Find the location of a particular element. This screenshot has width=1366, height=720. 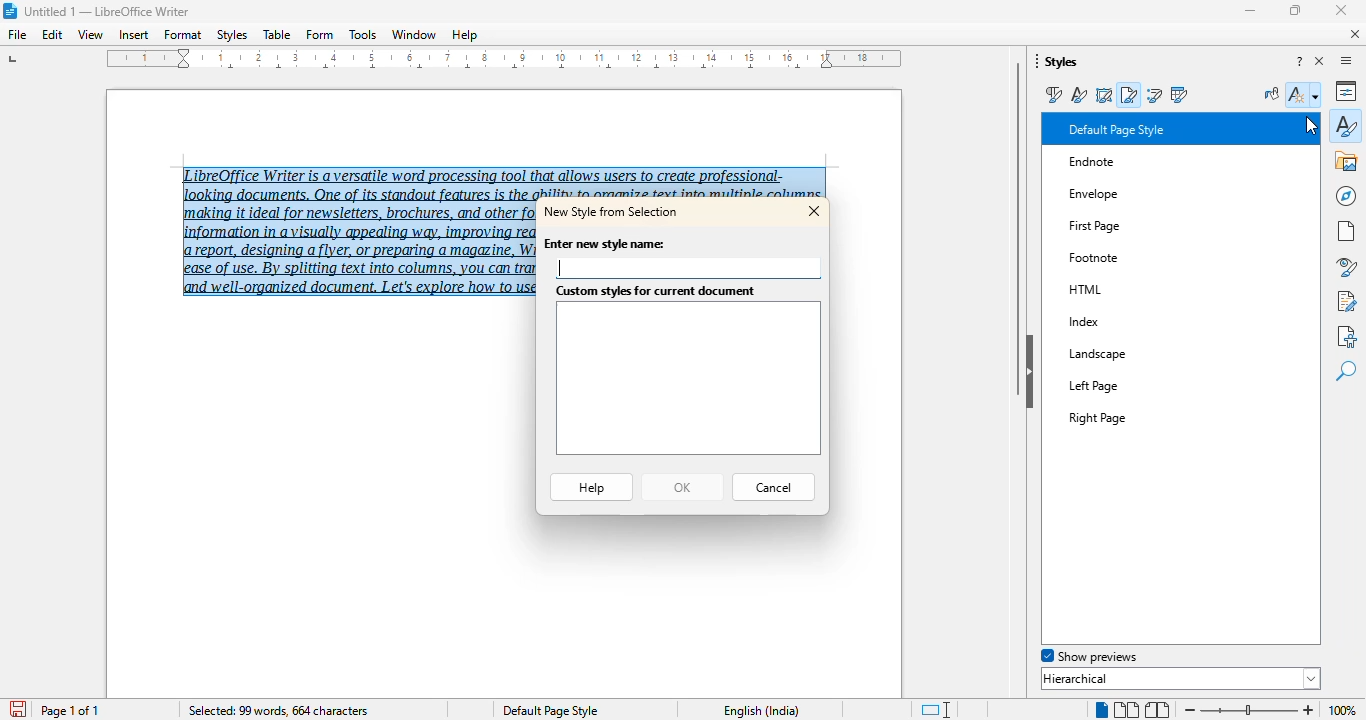

Index is located at coordinates (1135, 322).